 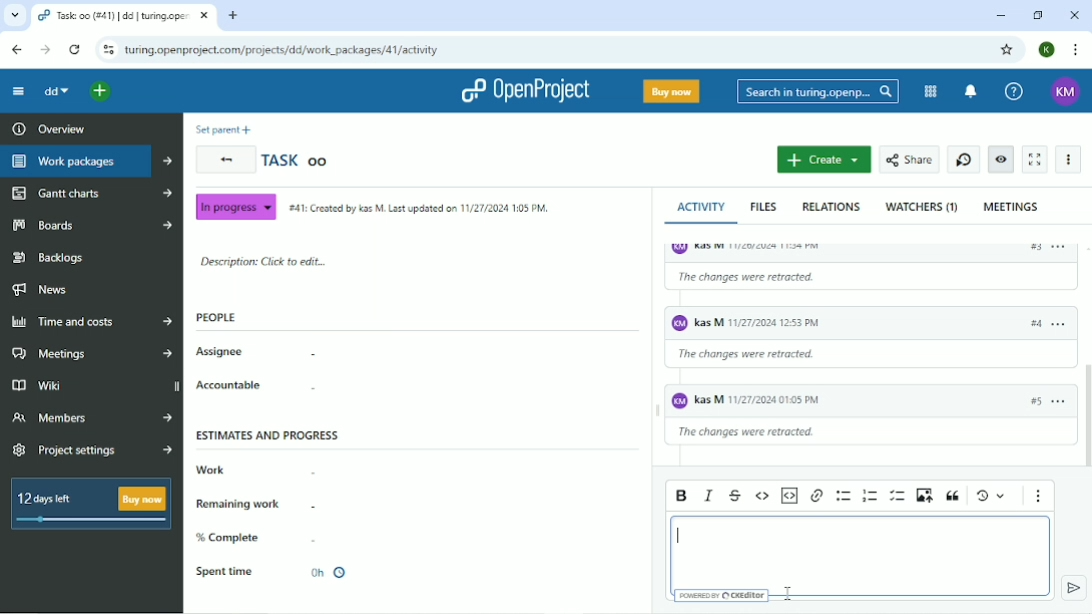 I want to click on View site information, so click(x=107, y=51).